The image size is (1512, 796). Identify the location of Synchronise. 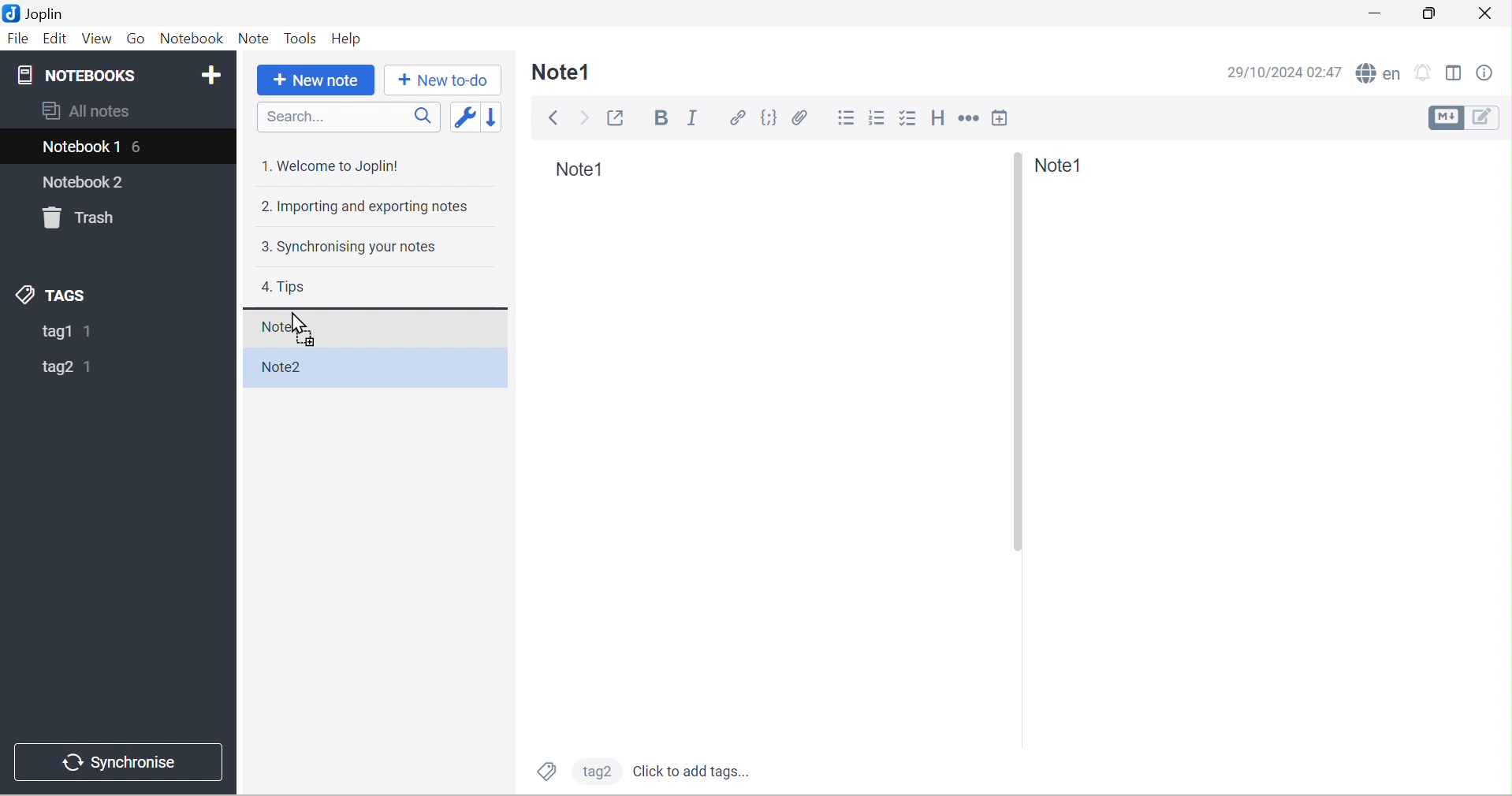
(117, 763).